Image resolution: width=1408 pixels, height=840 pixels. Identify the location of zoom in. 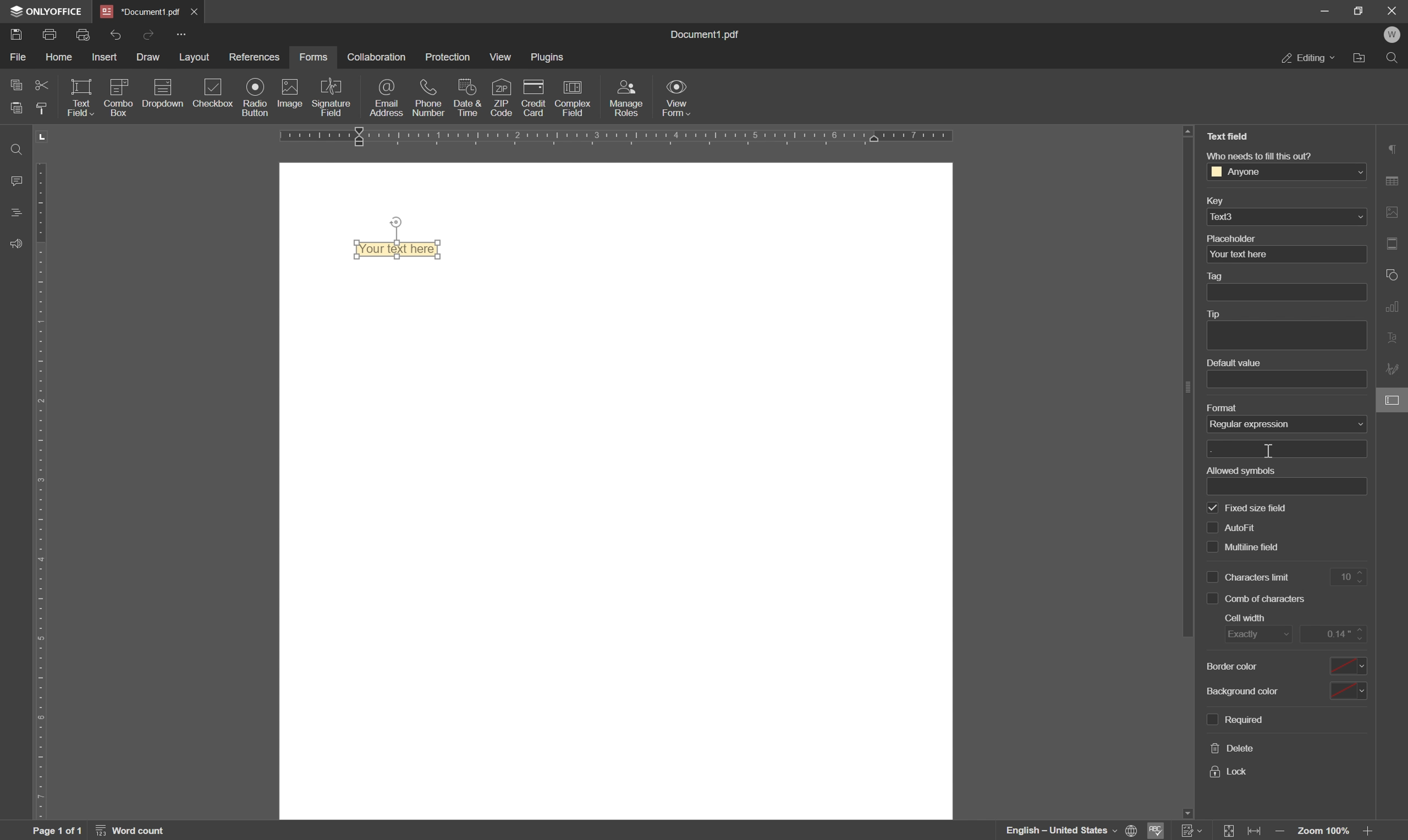
(1370, 832).